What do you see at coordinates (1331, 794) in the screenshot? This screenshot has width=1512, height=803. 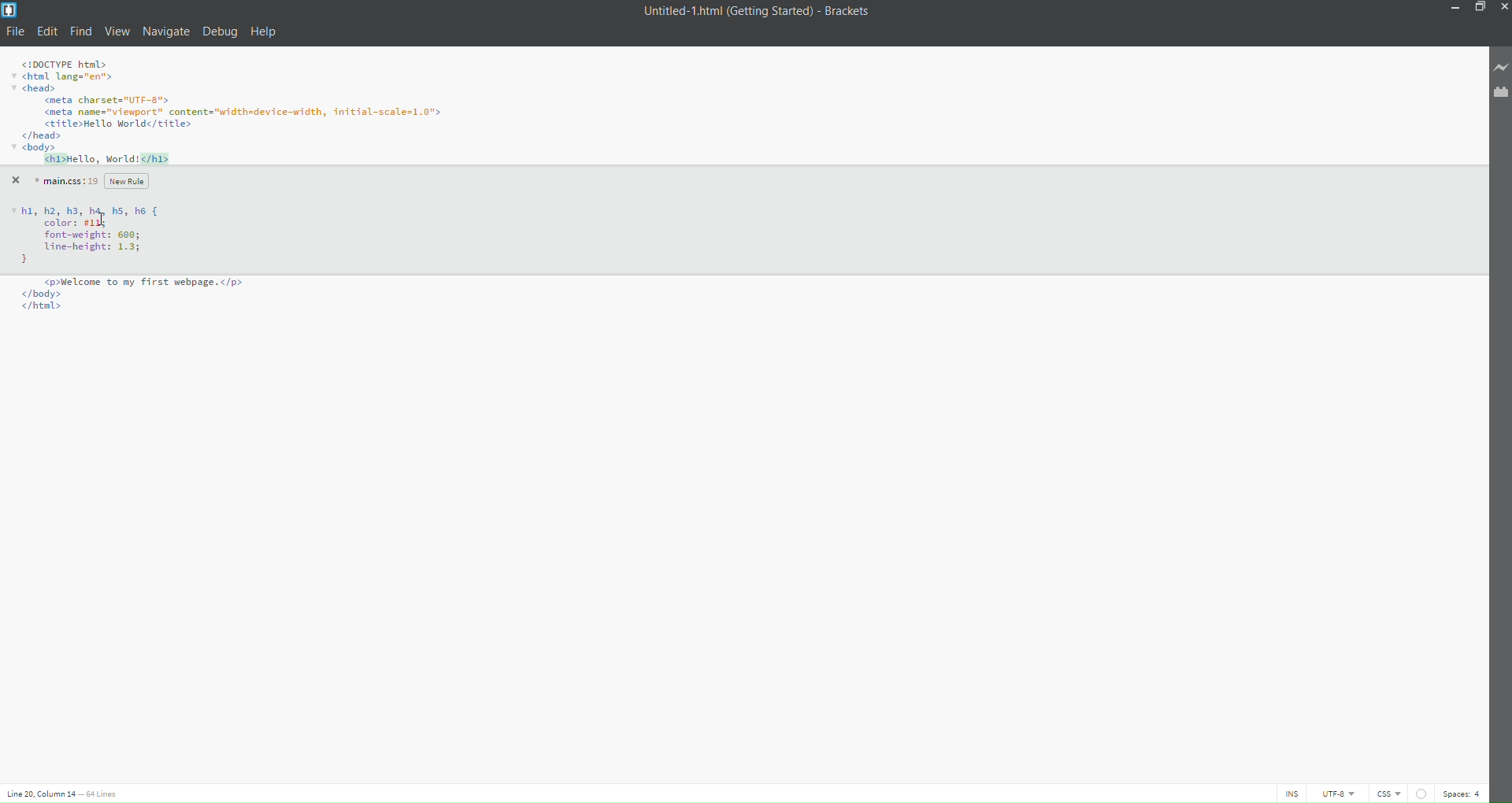 I see `utf-8` at bounding box center [1331, 794].